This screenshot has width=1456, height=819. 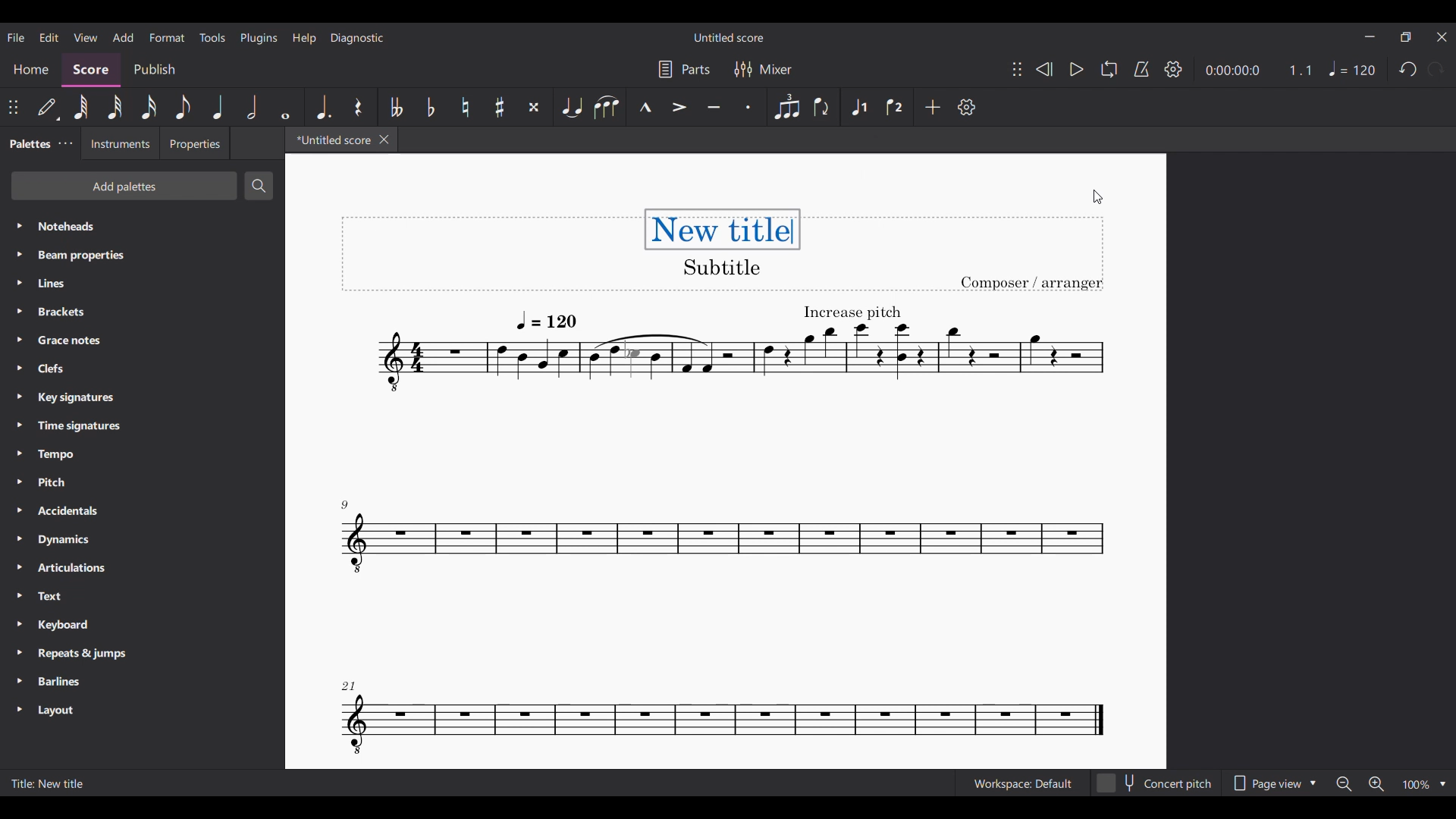 What do you see at coordinates (142, 425) in the screenshot?
I see `Time signatures` at bounding box center [142, 425].